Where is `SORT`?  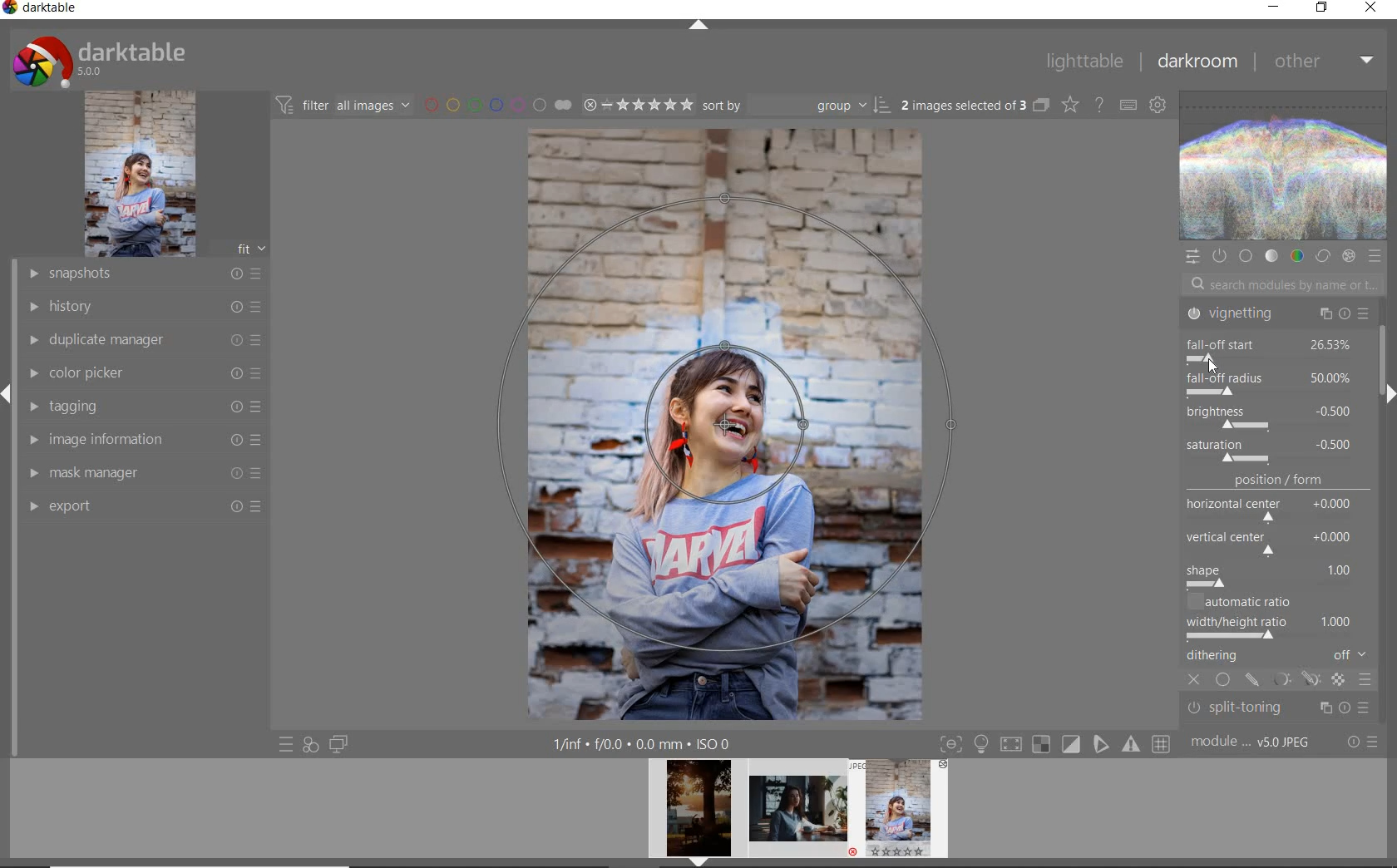
SORT is located at coordinates (797, 104).